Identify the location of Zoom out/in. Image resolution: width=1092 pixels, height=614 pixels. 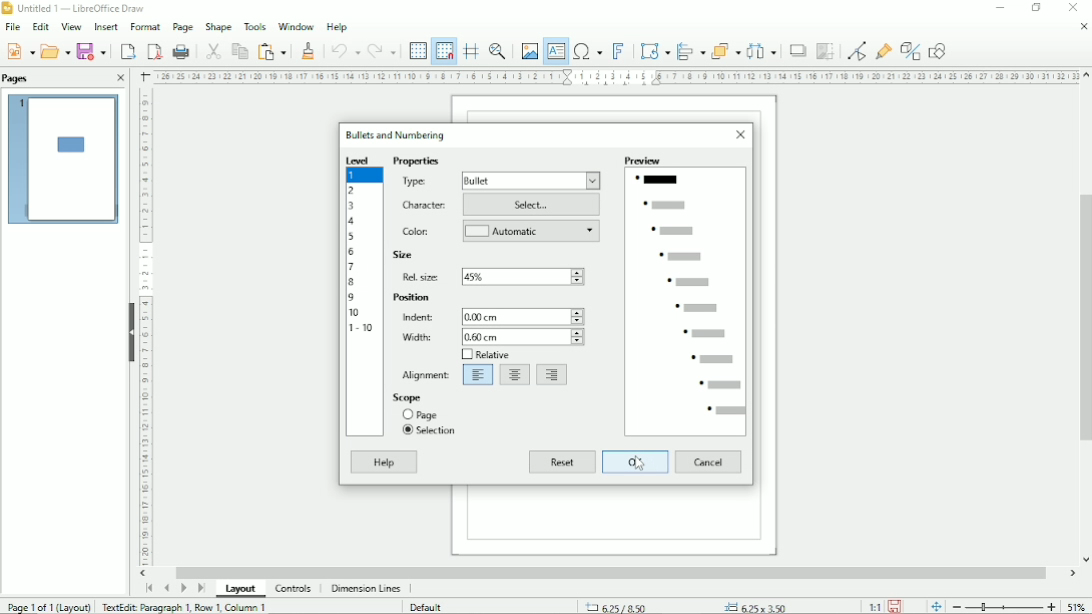
(1005, 607).